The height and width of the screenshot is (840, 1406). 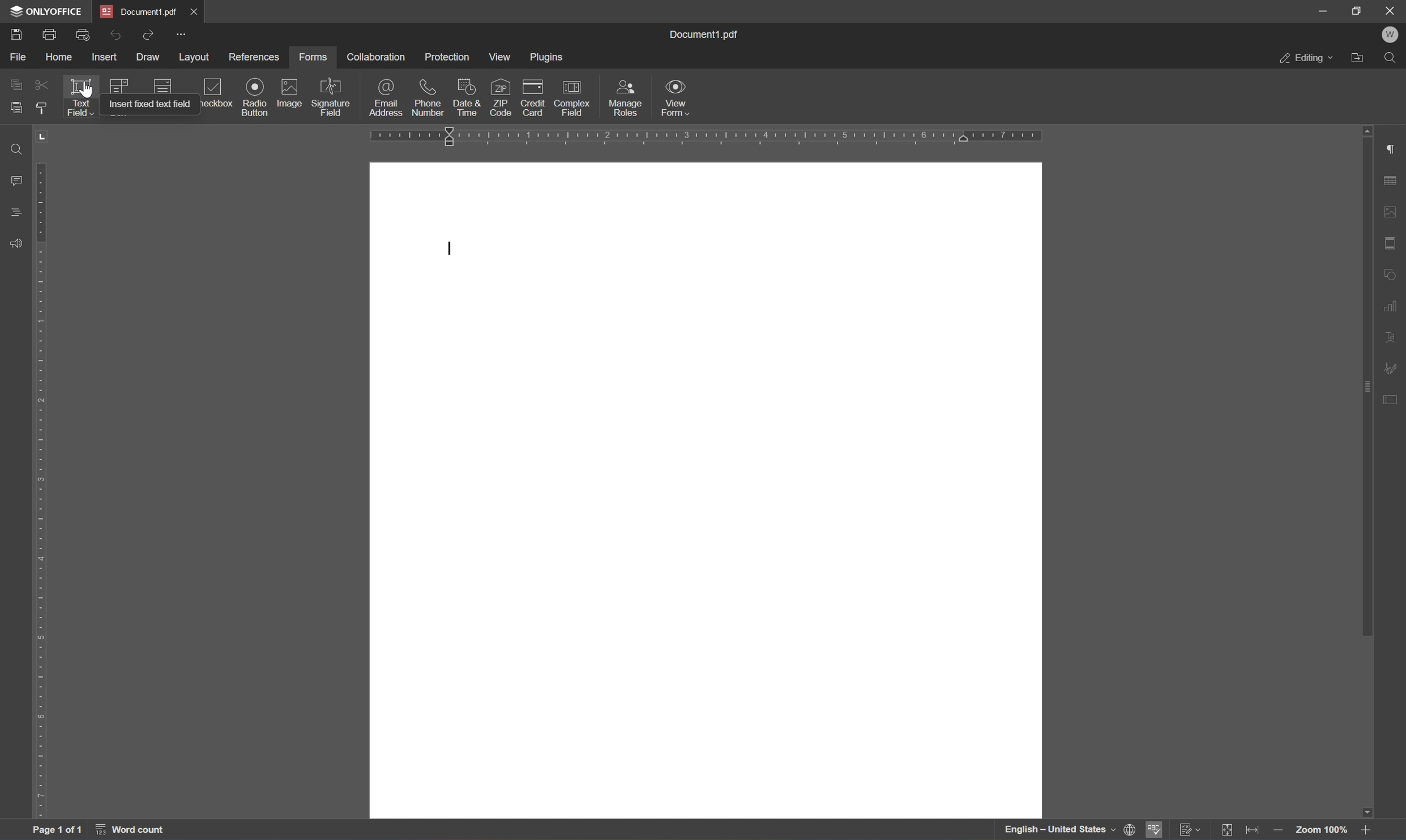 I want to click on insert fixed text field, so click(x=149, y=102).